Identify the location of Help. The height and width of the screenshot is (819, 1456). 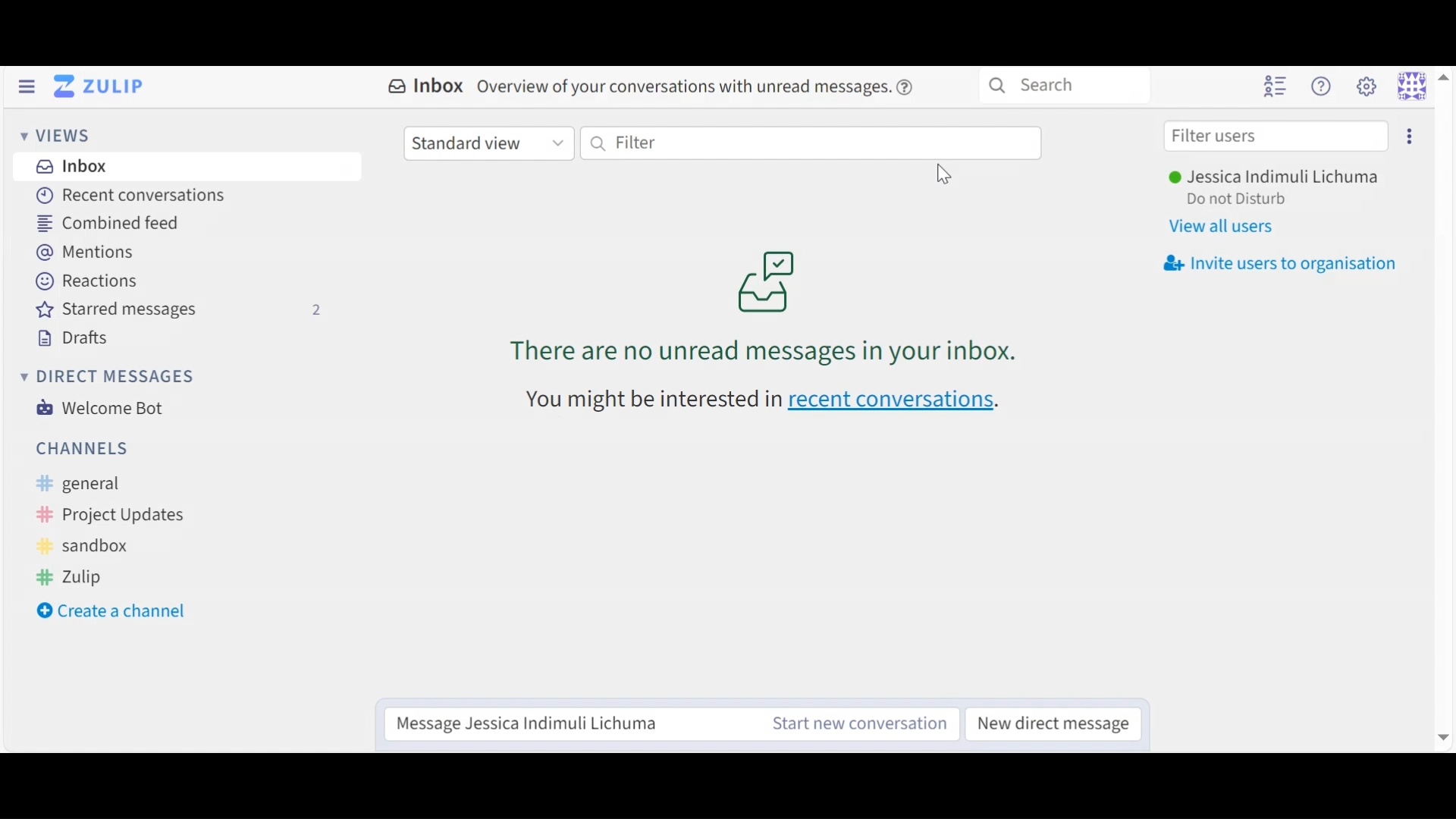
(1320, 86).